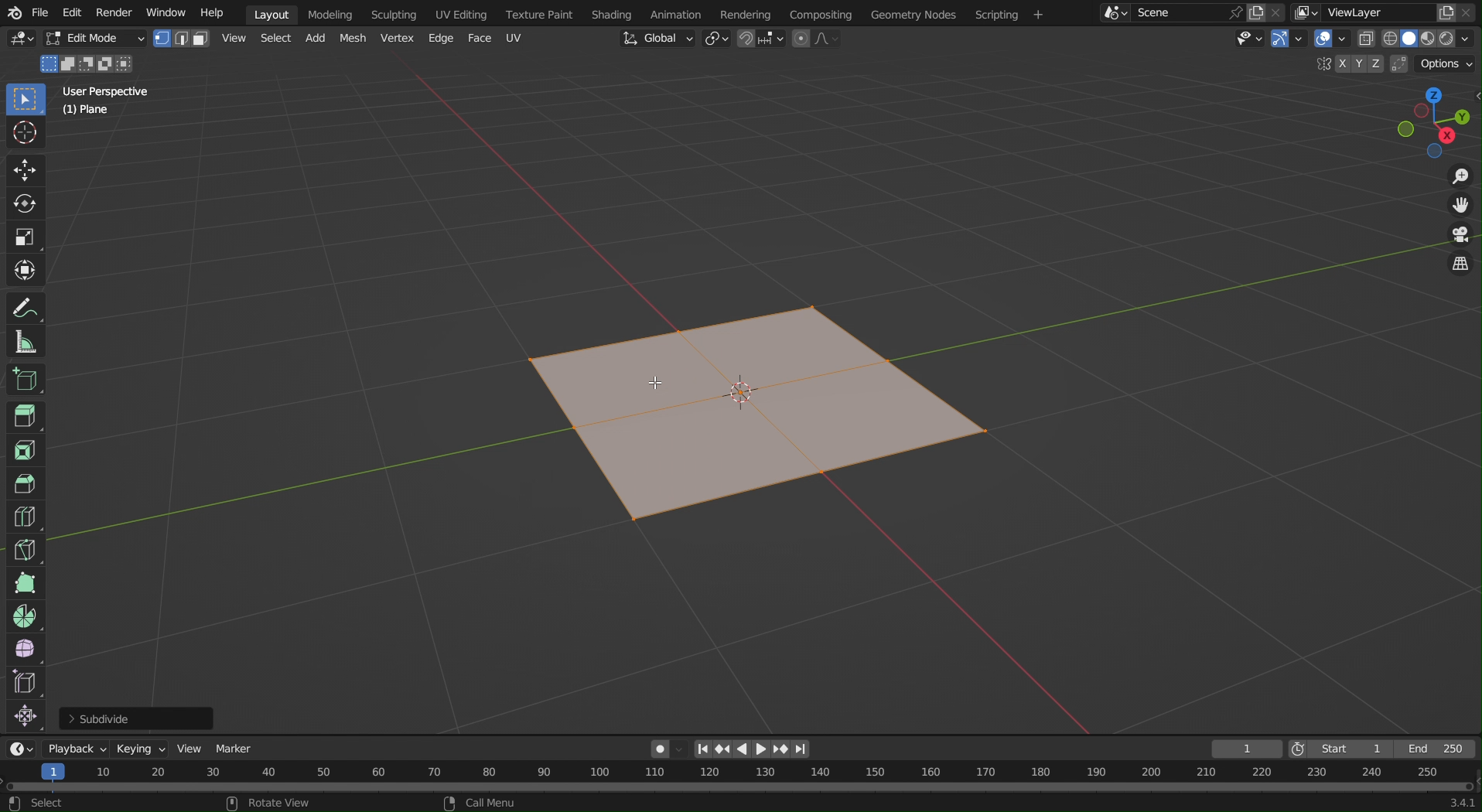 This screenshot has width=1482, height=812. Describe the element at coordinates (1460, 237) in the screenshot. I see `Camera View` at that location.